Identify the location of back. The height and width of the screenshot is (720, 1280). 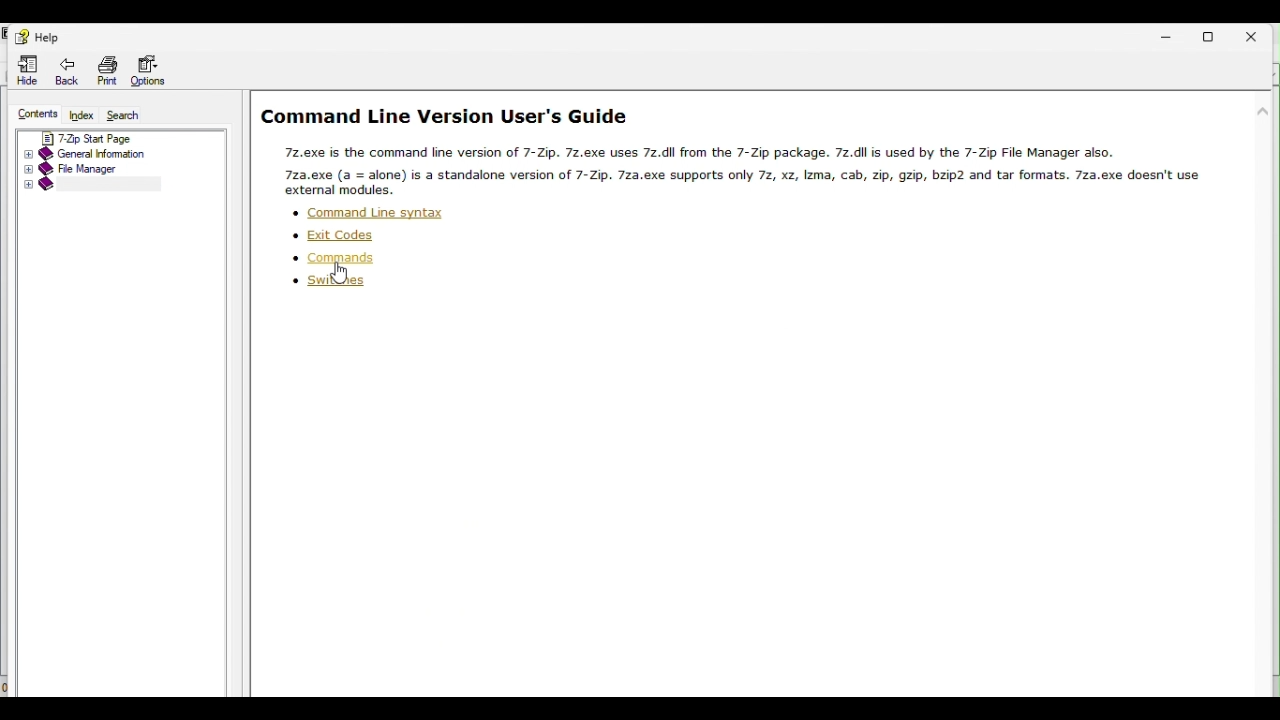
(72, 73).